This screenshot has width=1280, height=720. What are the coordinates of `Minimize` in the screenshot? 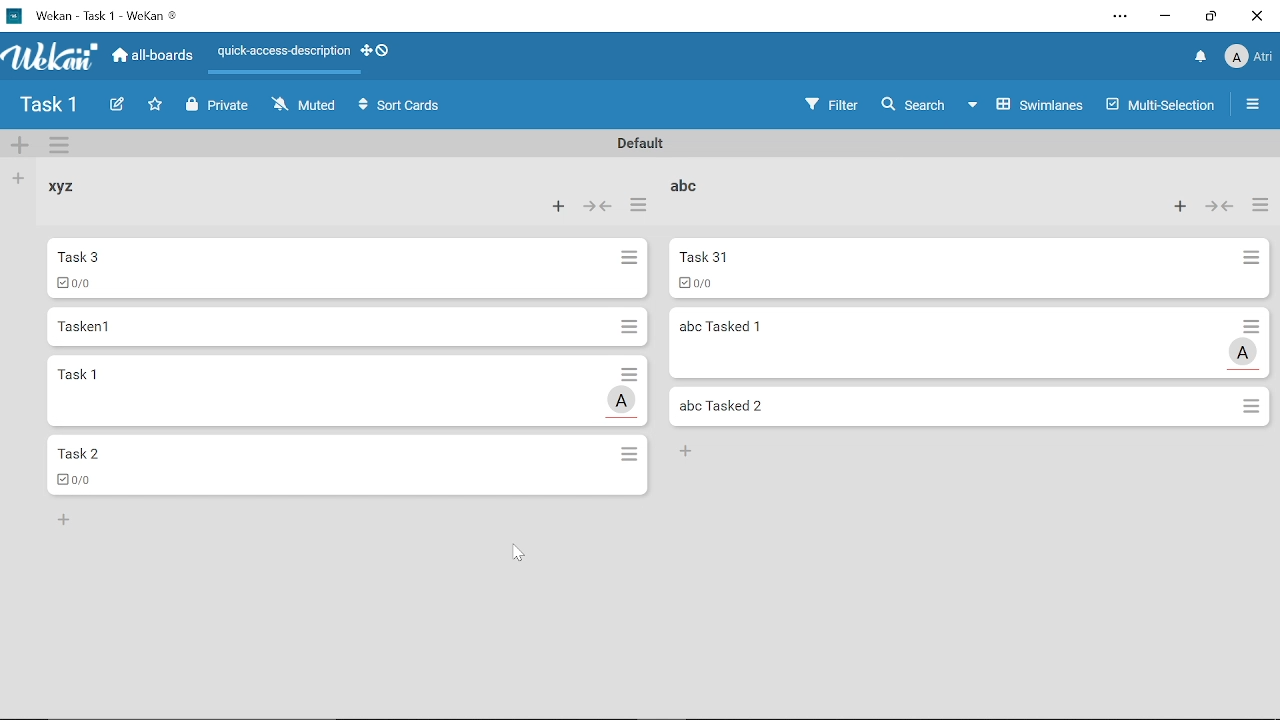 It's located at (1166, 19).